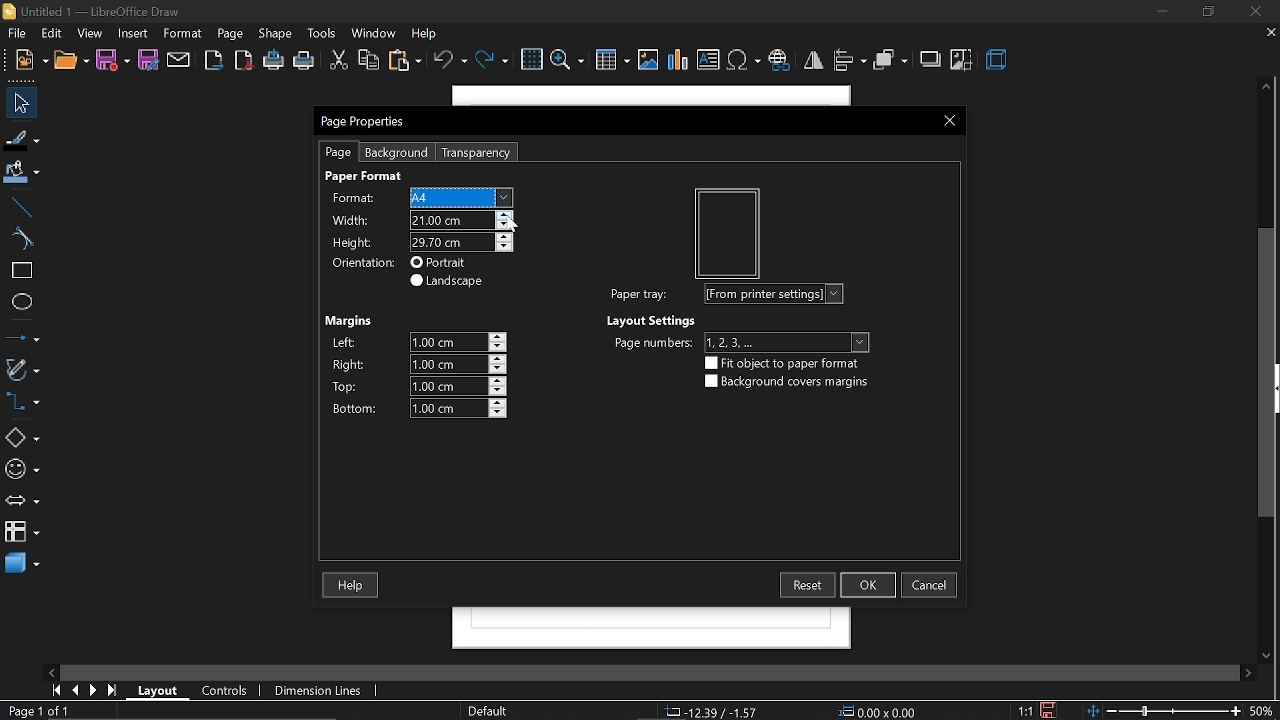 This screenshot has width=1280, height=720. What do you see at coordinates (90, 13) in the screenshot?
I see `Untitled1 - LibreOffice Draw - current window` at bounding box center [90, 13].